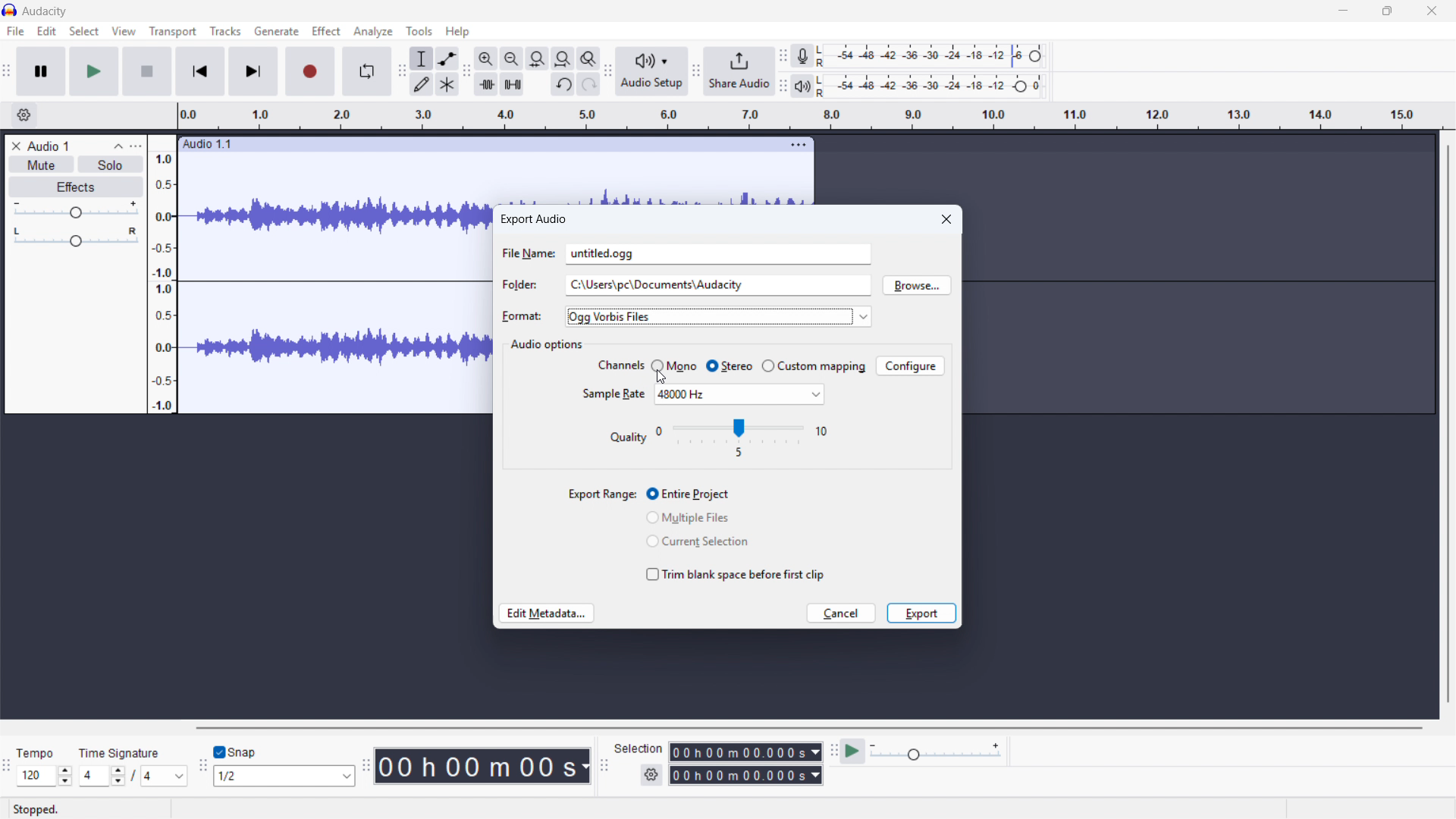 The image size is (1456, 819). Describe the element at coordinates (607, 73) in the screenshot. I see `Audio setup toolbar ` at that location.